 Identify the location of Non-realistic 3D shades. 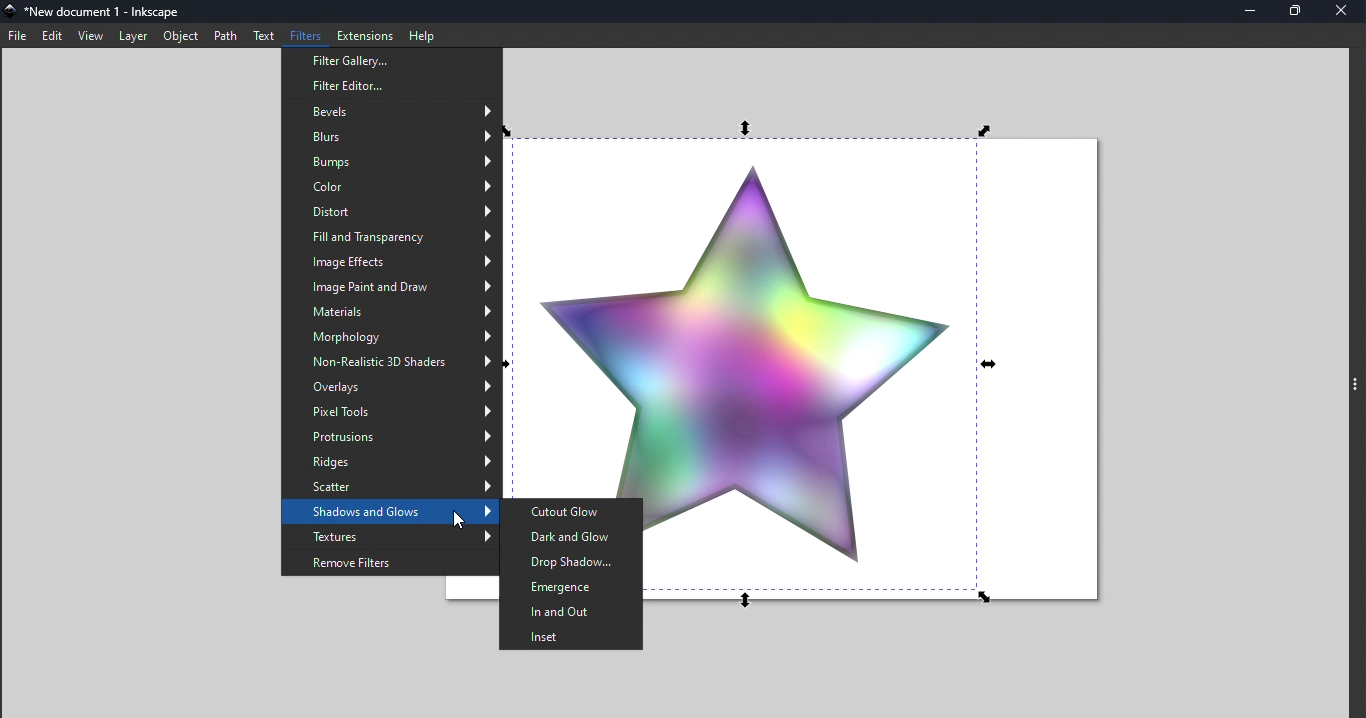
(392, 361).